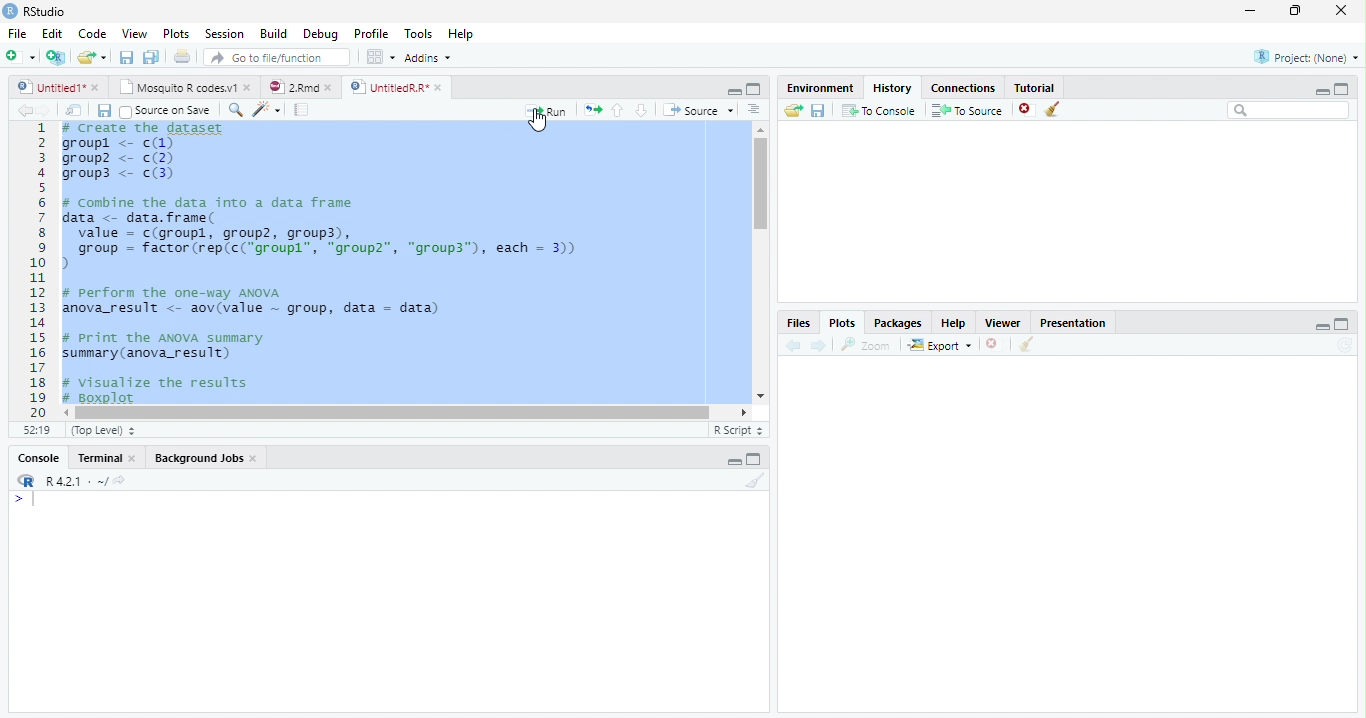 The height and width of the screenshot is (718, 1366). Describe the element at coordinates (754, 90) in the screenshot. I see `Maximize` at that location.